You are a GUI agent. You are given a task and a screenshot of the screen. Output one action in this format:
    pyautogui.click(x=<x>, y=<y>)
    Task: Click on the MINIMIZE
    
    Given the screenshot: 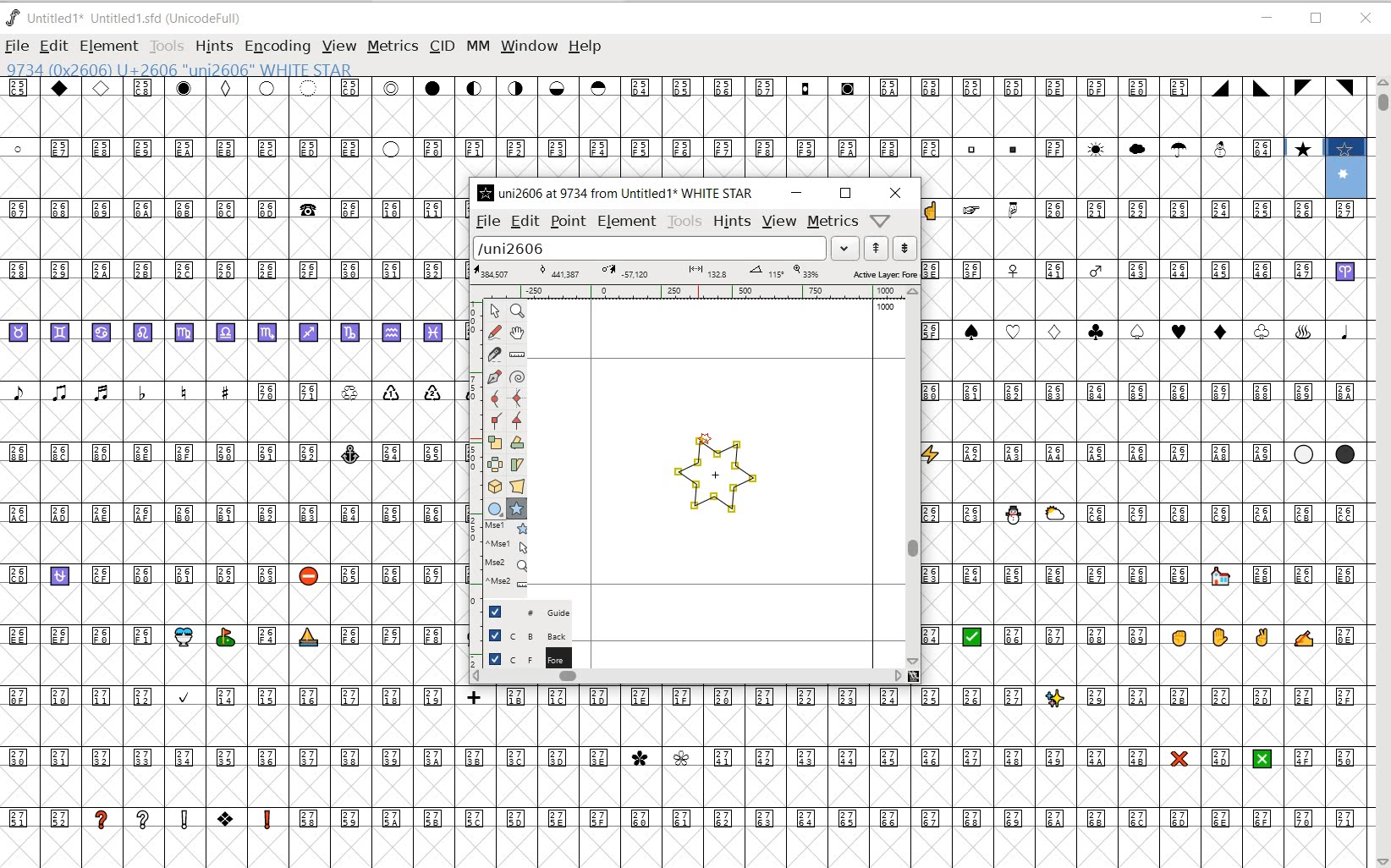 What is the action you would take?
    pyautogui.click(x=1267, y=18)
    